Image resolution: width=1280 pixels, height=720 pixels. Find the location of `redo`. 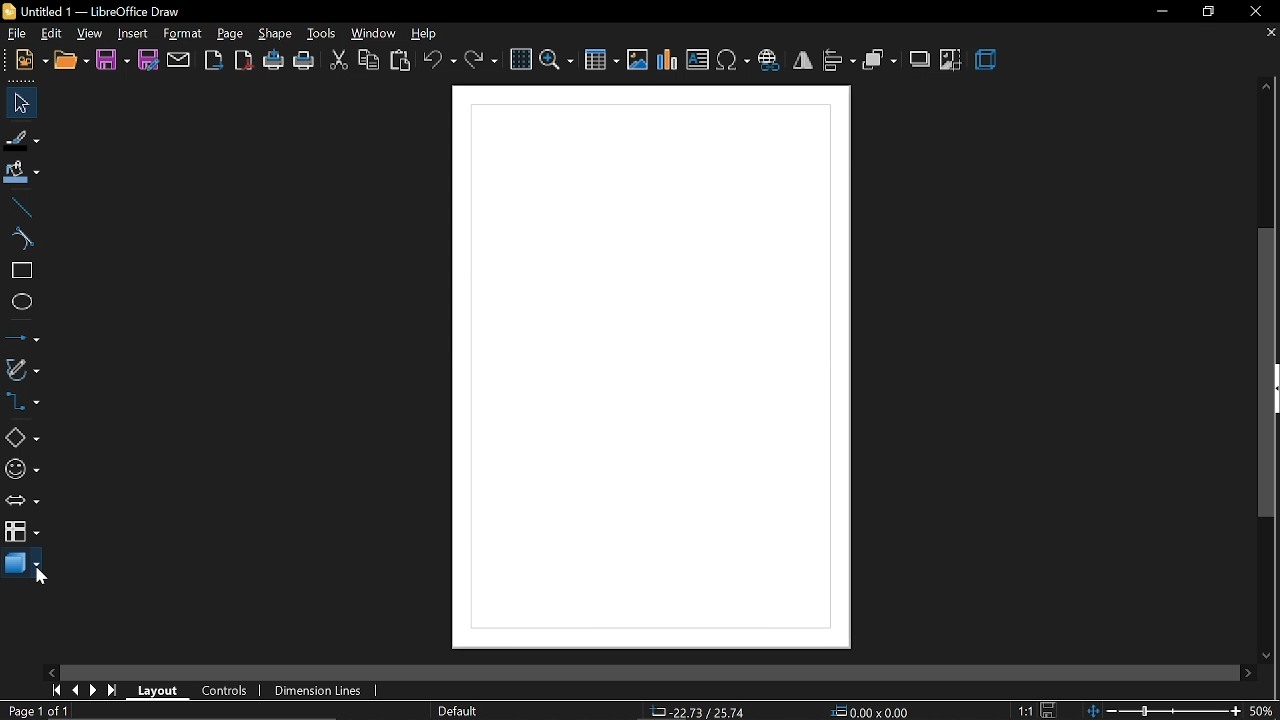

redo is located at coordinates (481, 61).